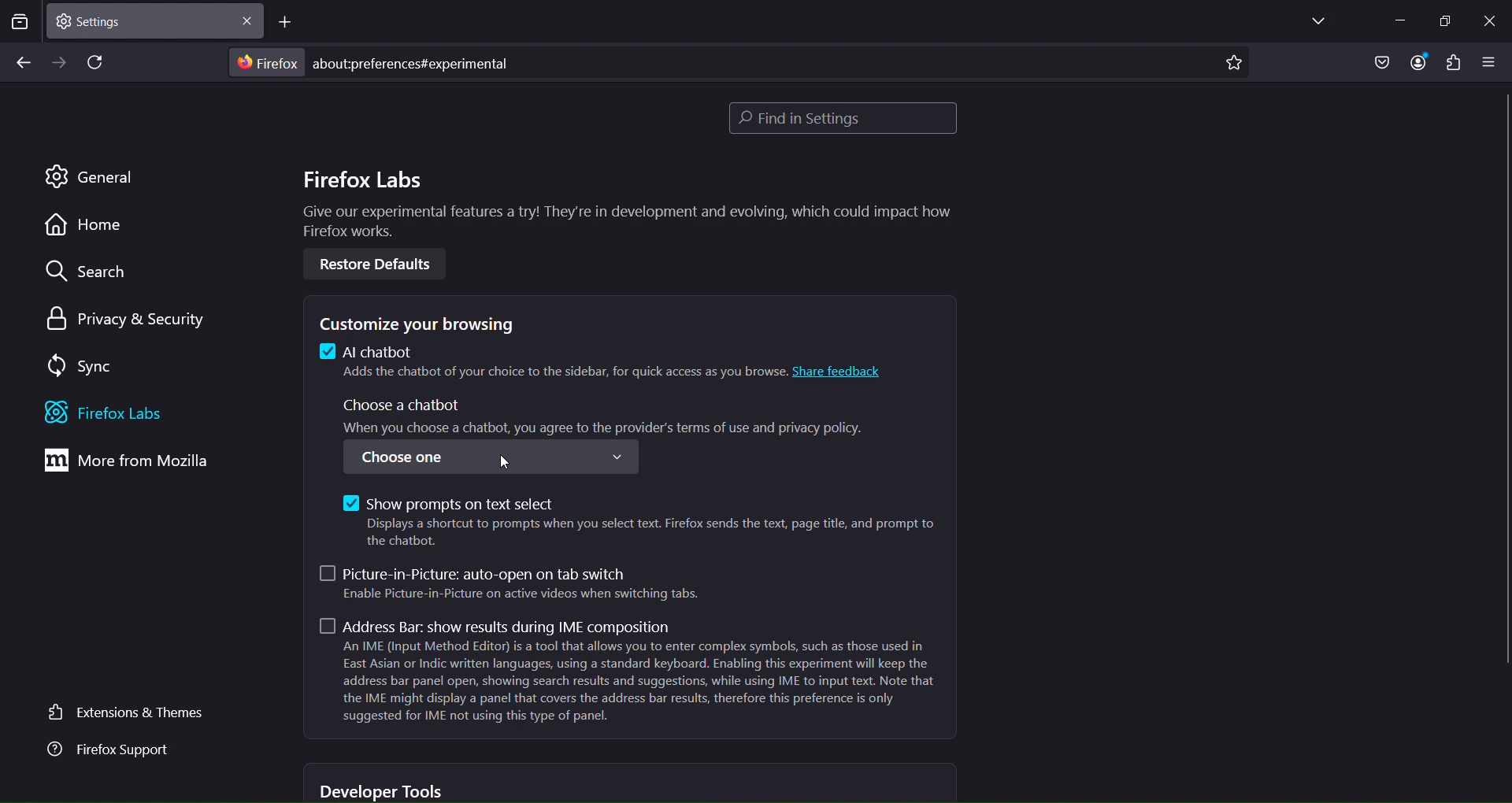 Image resolution: width=1512 pixels, height=803 pixels. I want to click on current tab, so click(104, 20).